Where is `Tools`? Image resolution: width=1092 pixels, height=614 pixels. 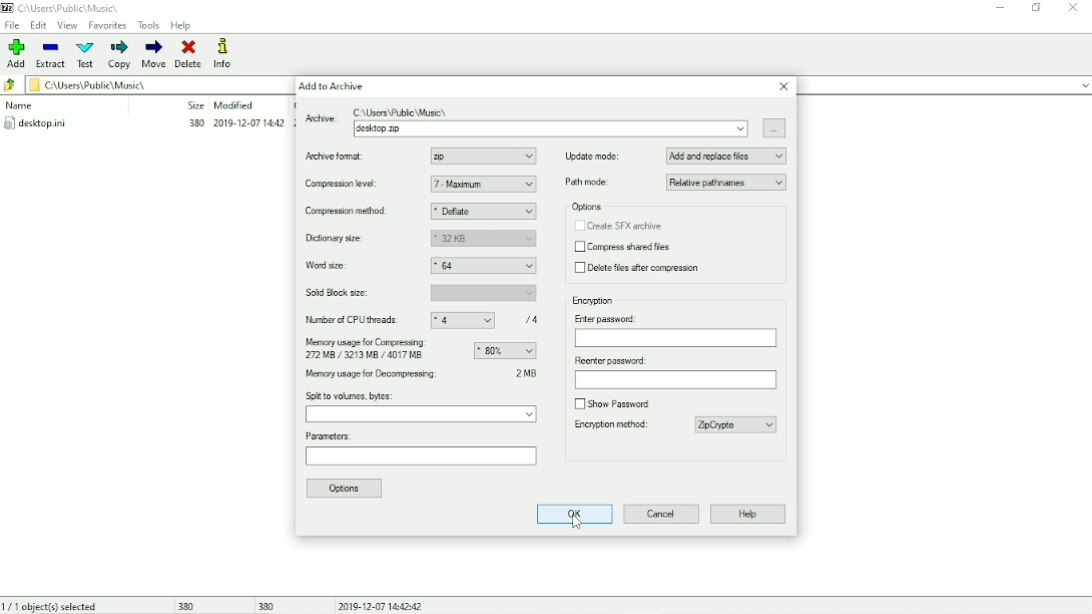 Tools is located at coordinates (149, 25).